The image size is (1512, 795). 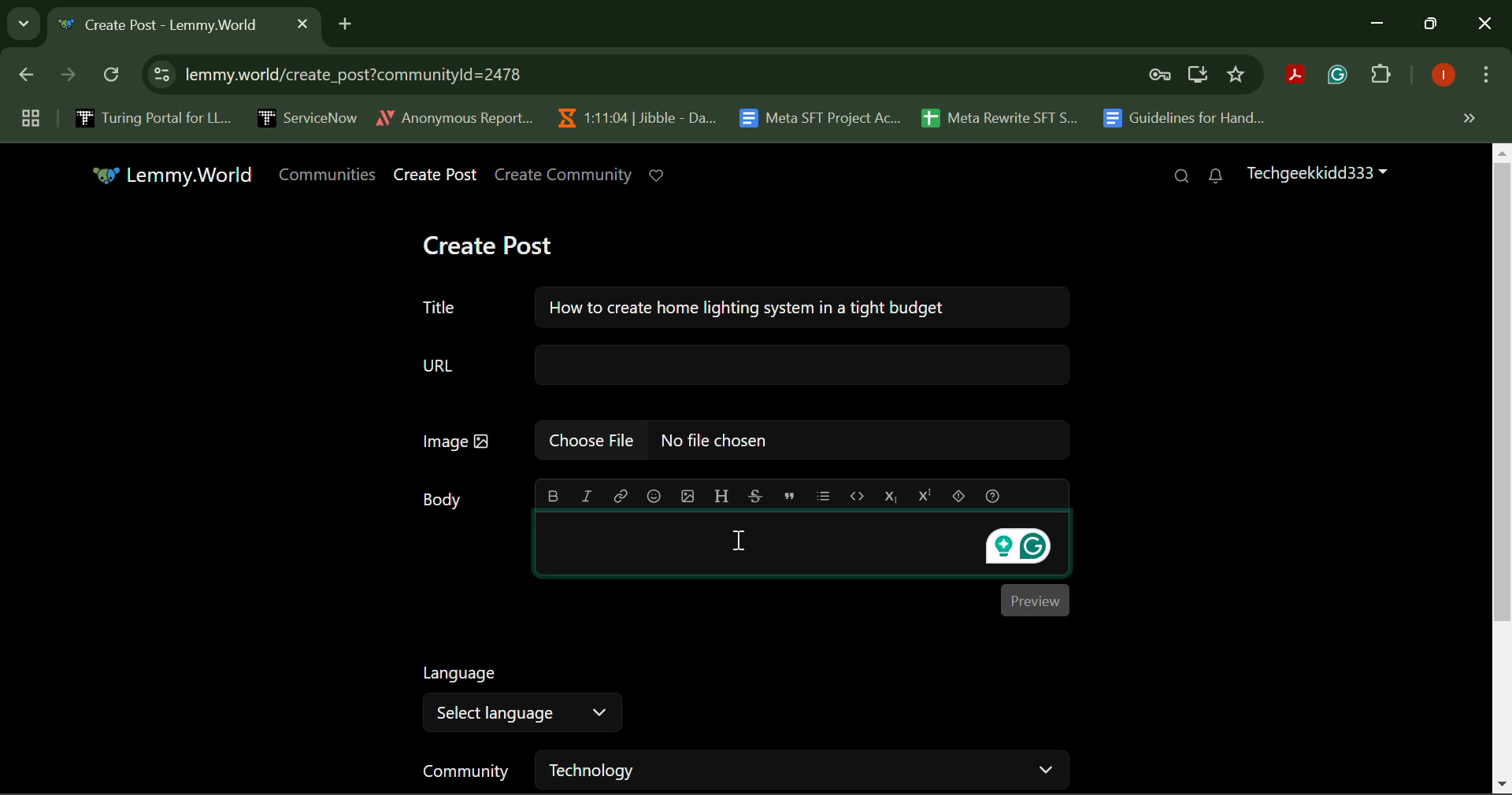 I want to click on Donate to Lemmy, so click(x=658, y=176).